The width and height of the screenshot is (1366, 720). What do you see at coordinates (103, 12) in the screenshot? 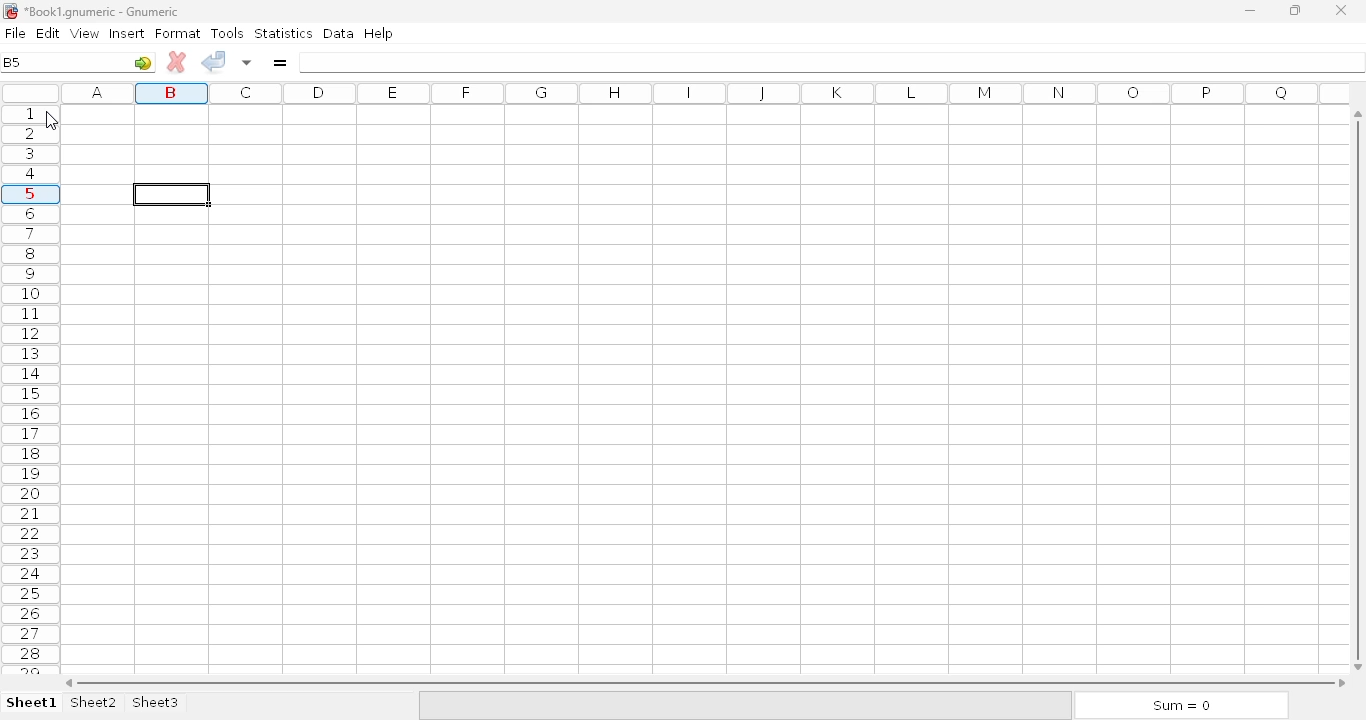
I see `title` at bounding box center [103, 12].